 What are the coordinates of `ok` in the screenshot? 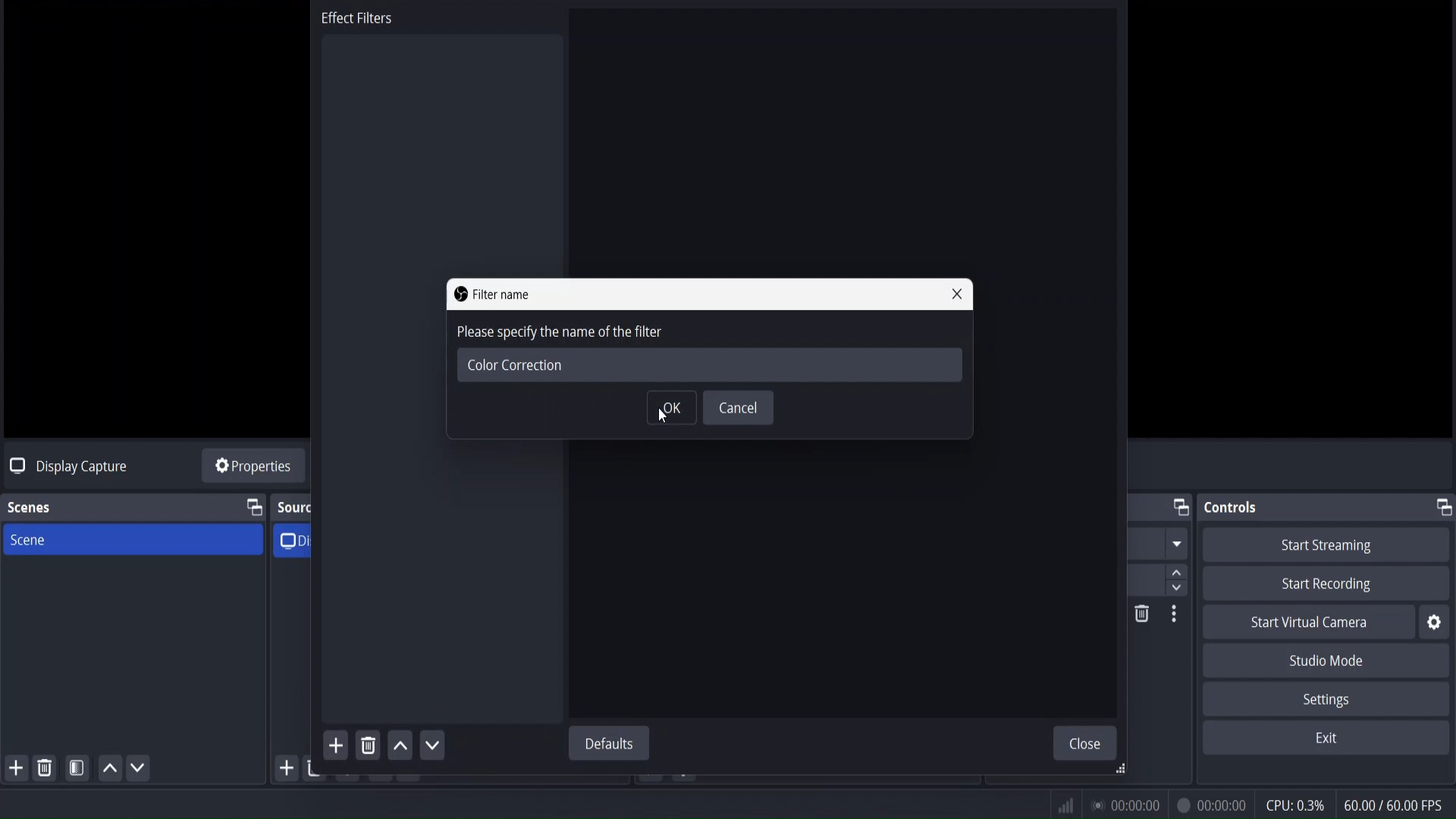 It's located at (670, 409).